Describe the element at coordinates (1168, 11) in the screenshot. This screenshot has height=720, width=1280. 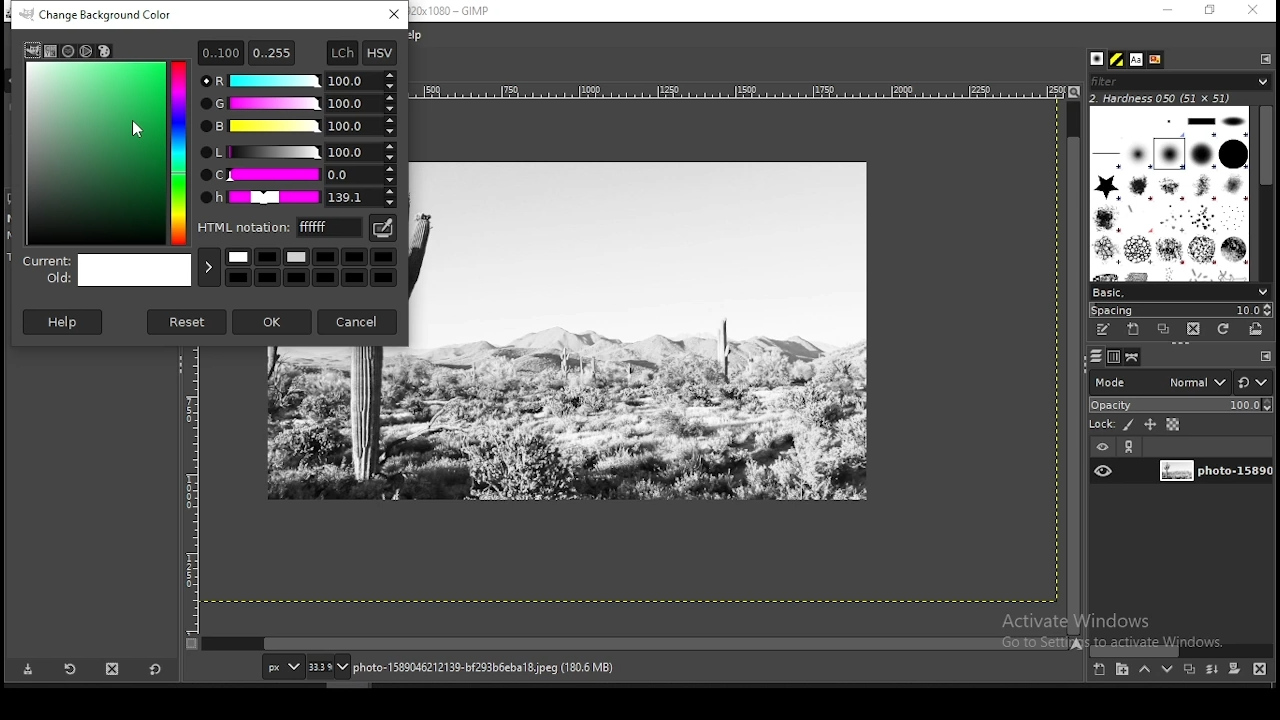
I see `minimize` at that location.